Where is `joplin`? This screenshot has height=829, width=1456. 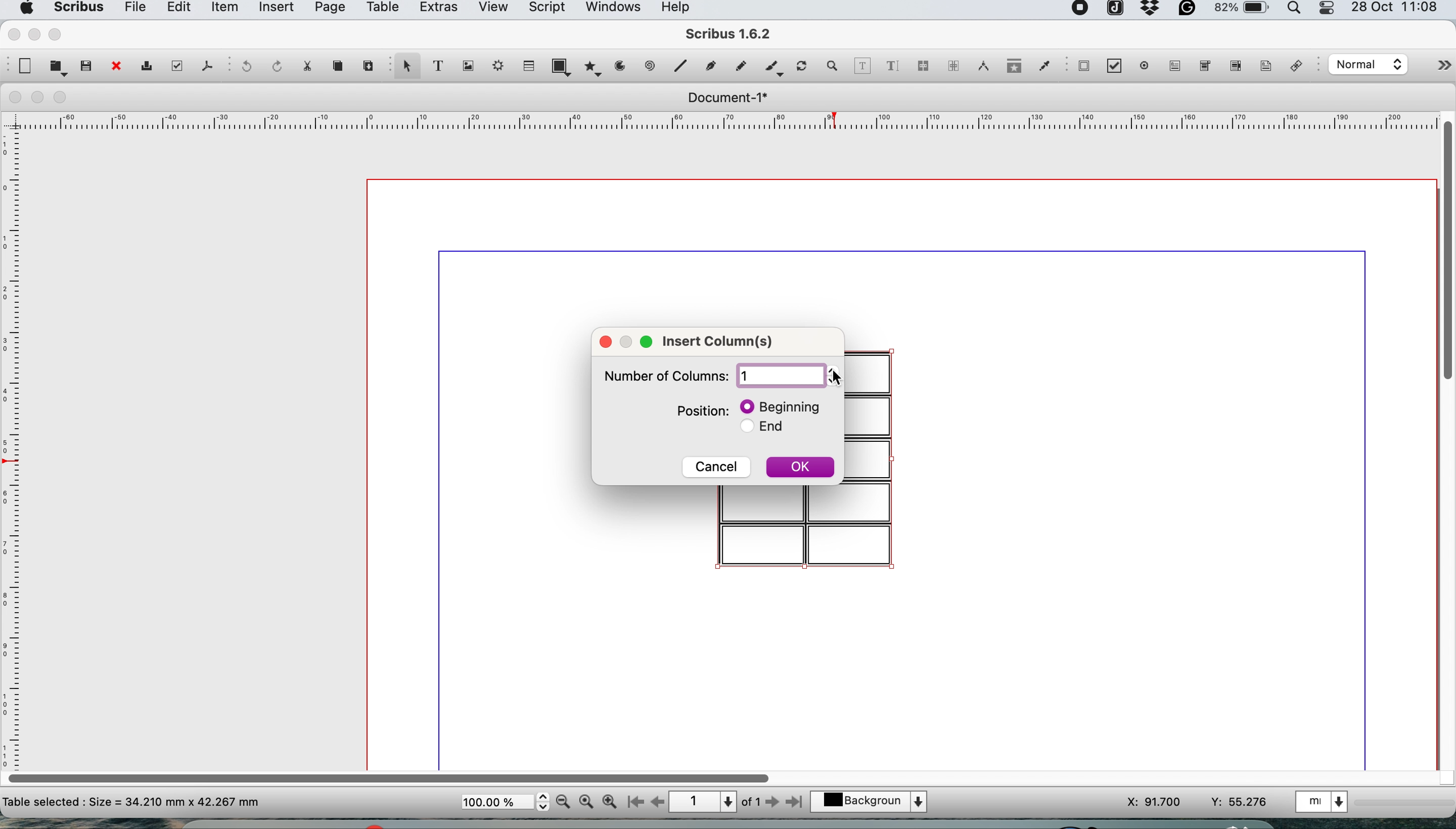 joplin is located at coordinates (1114, 10).